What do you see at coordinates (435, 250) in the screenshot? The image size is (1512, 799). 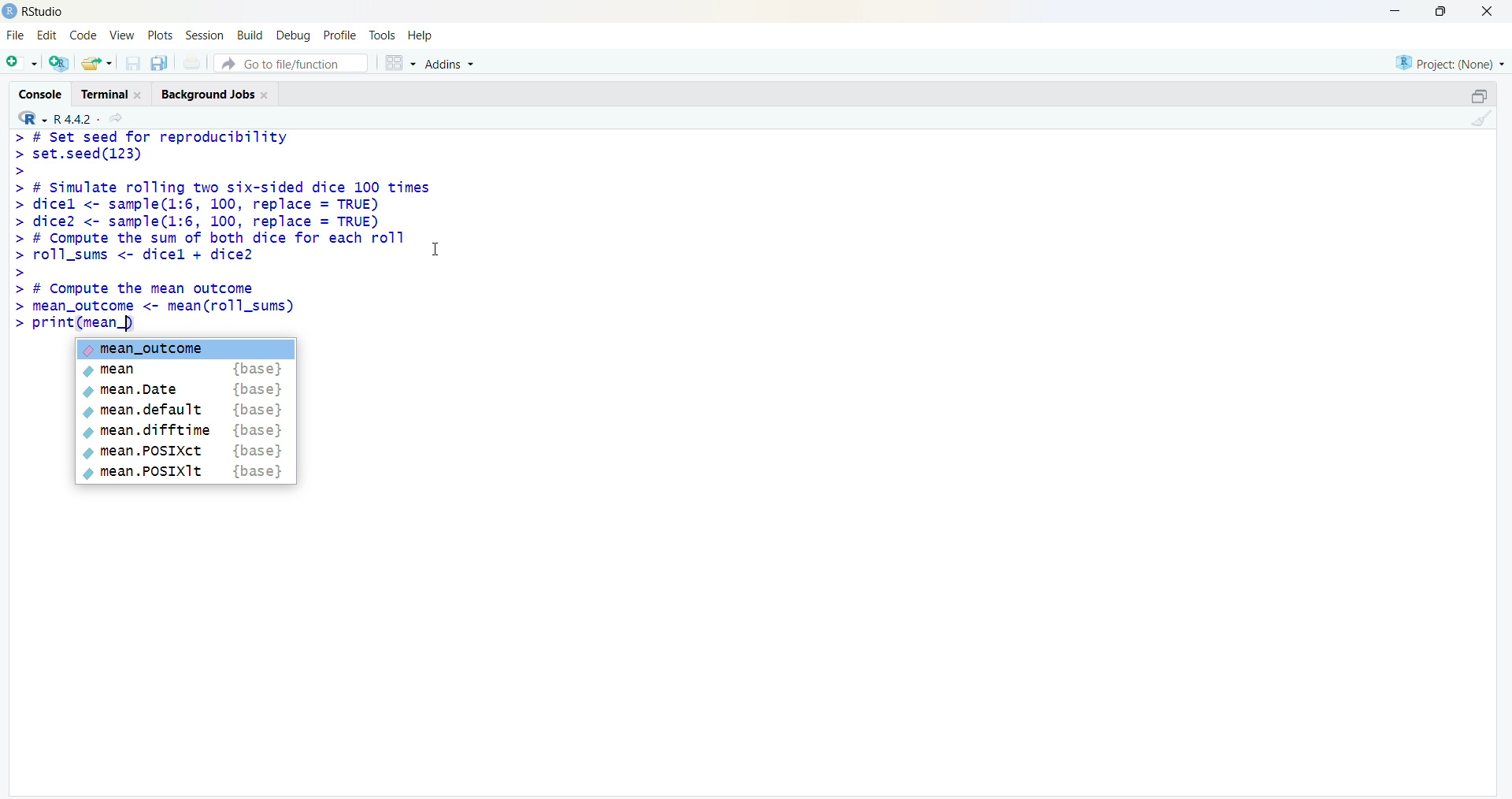 I see `cursor` at bounding box center [435, 250].